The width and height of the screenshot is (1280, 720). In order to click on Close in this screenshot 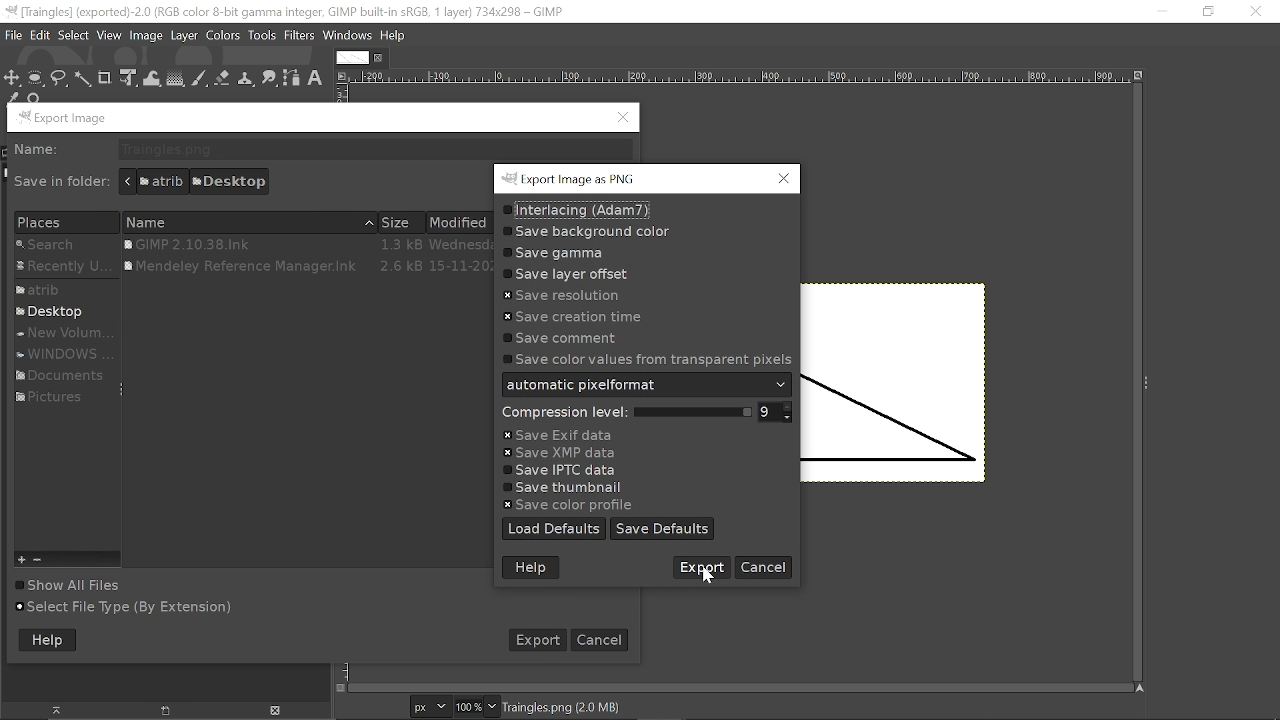, I will do `click(624, 118)`.